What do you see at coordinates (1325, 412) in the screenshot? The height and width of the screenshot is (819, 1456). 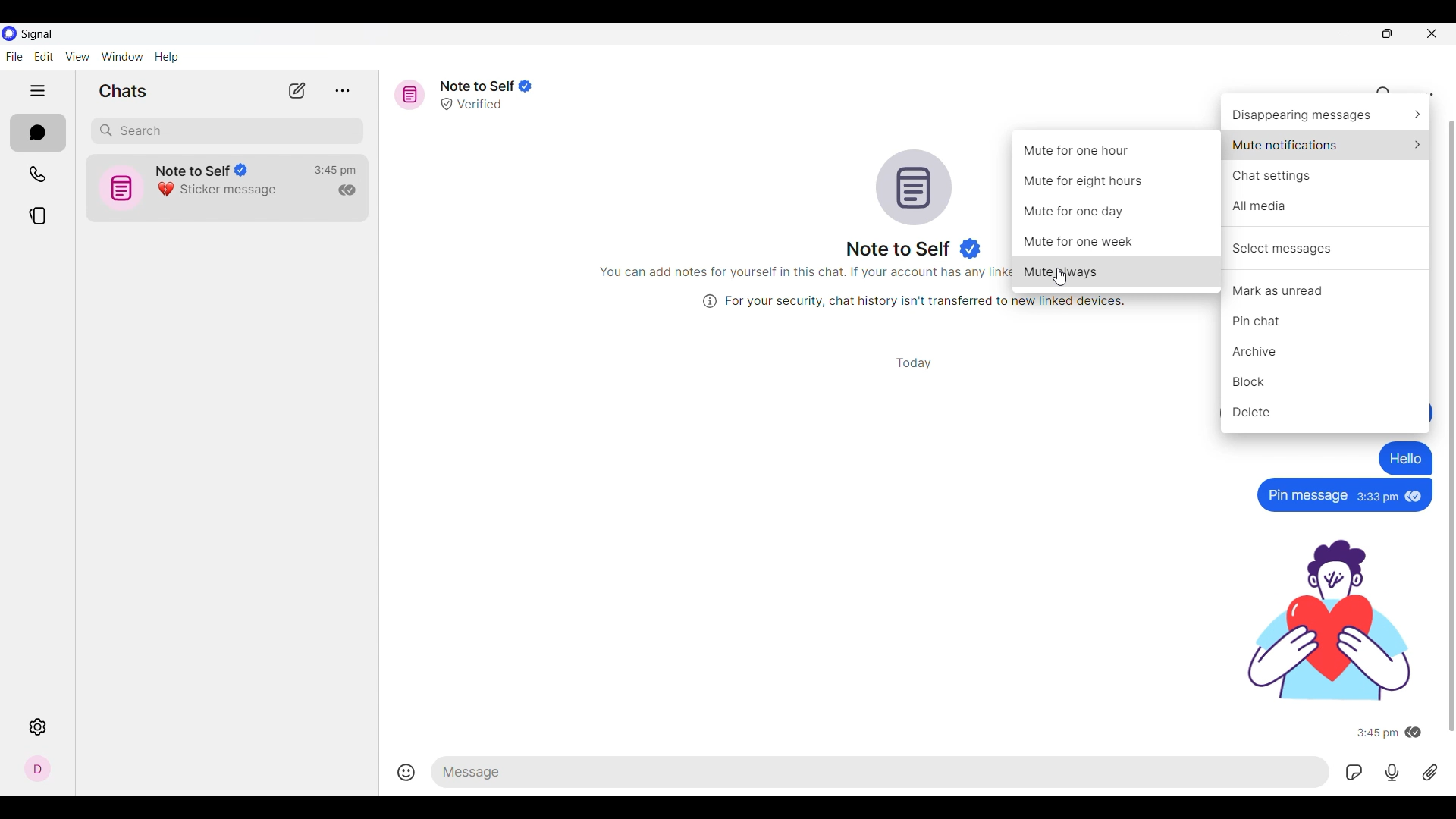 I see `Delete` at bounding box center [1325, 412].